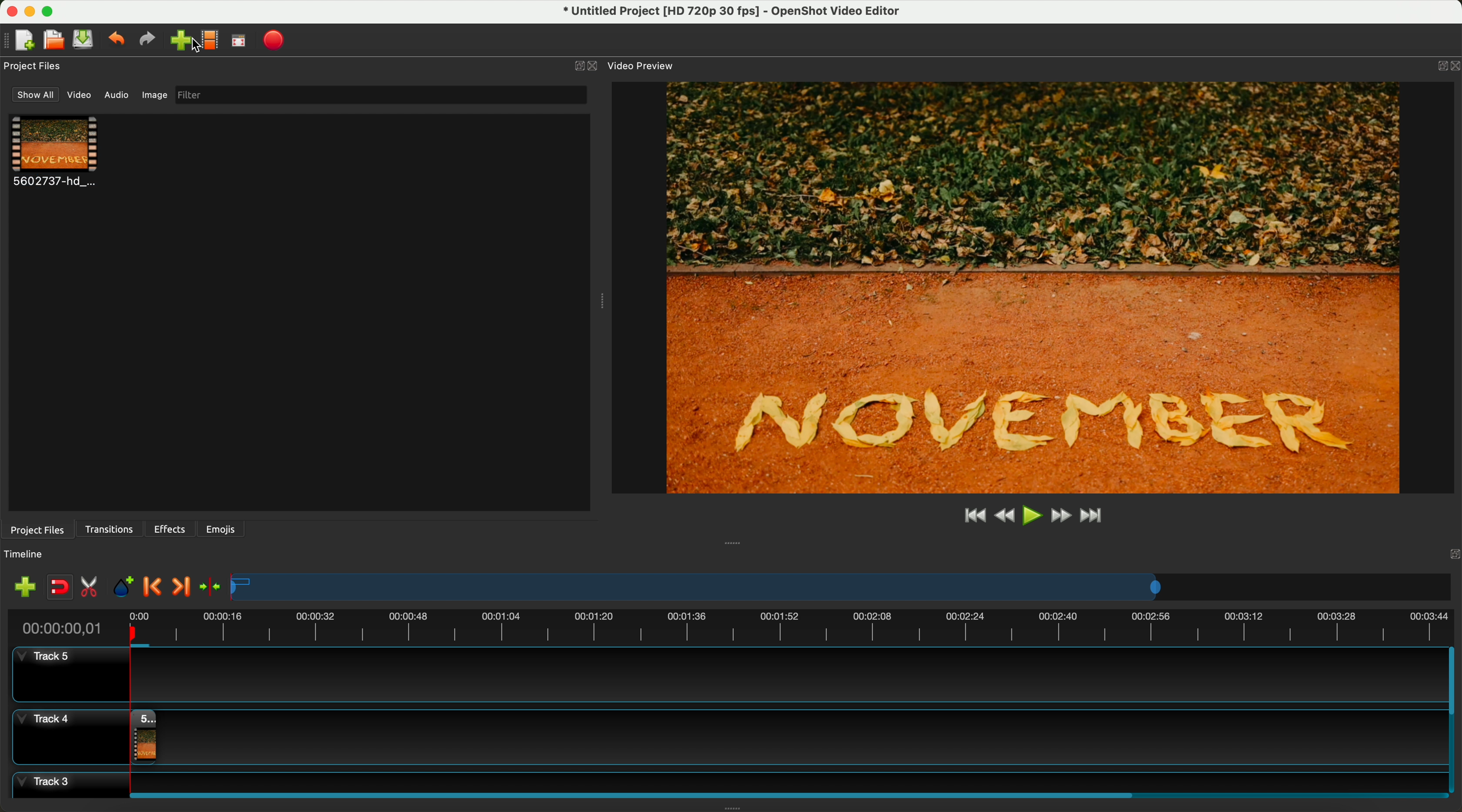 Image resolution: width=1462 pixels, height=812 pixels. I want to click on audio, so click(117, 94).